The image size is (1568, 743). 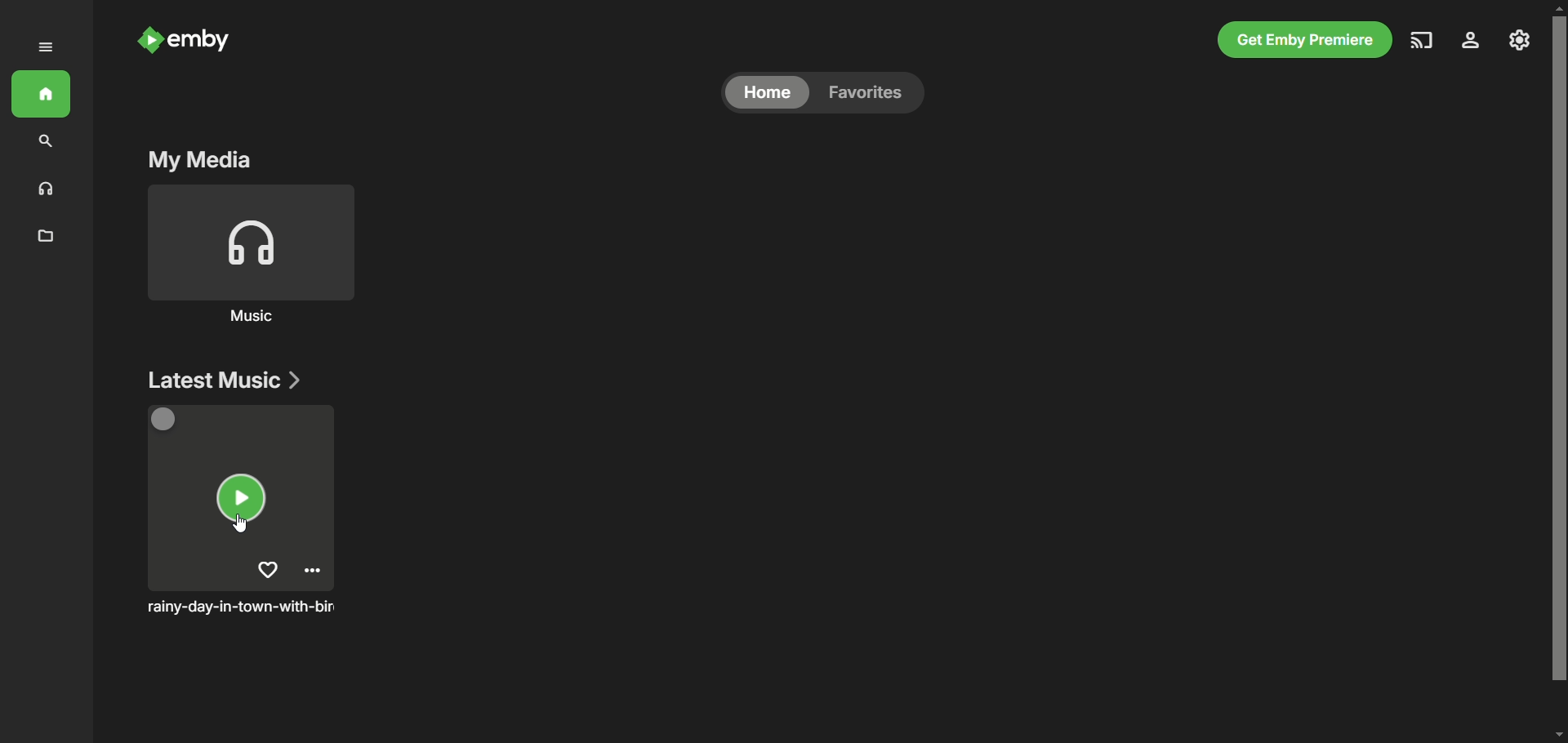 What do you see at coordinates (45, 91) in the screenshot?
I see `home` at bounding box center [45, 91].